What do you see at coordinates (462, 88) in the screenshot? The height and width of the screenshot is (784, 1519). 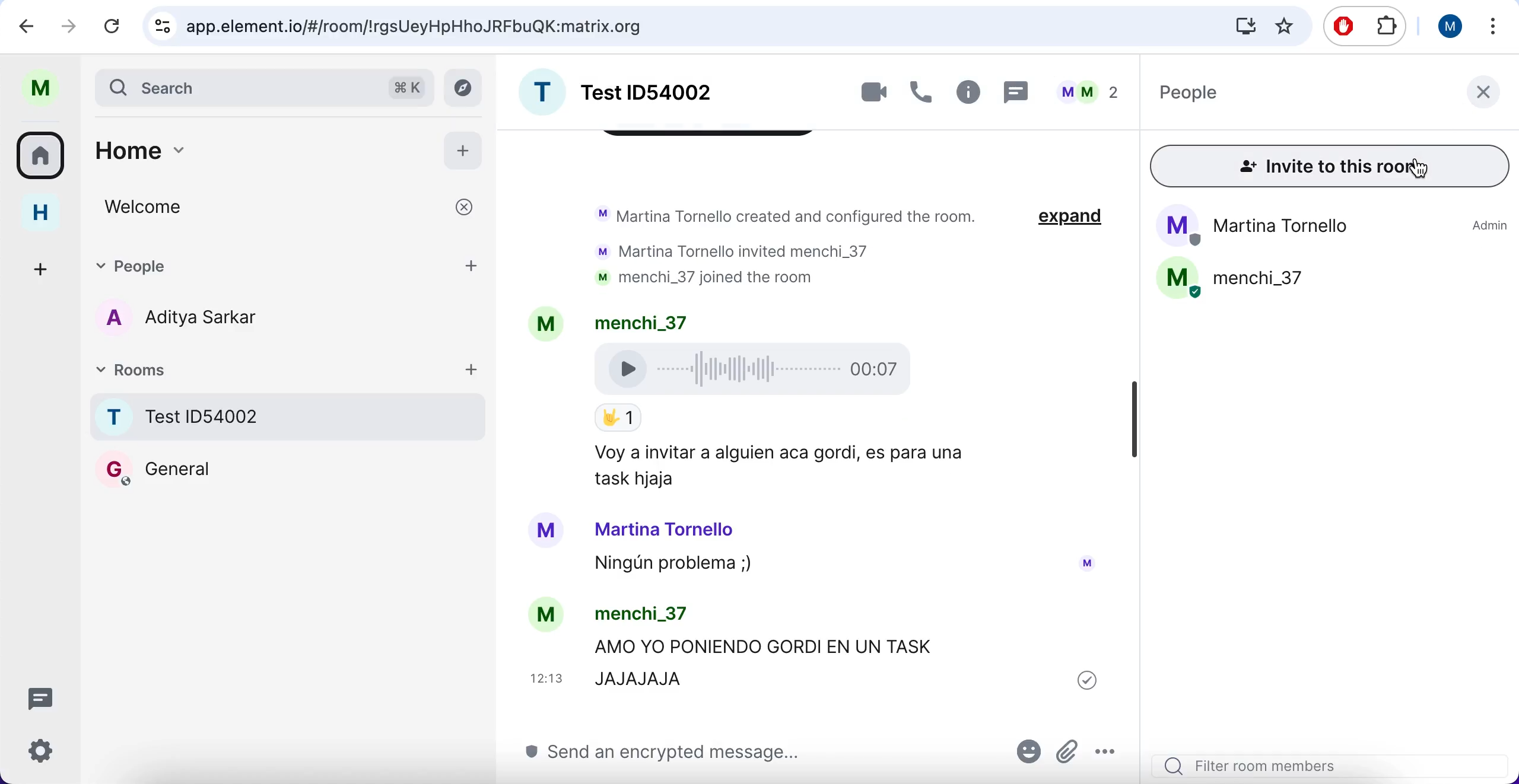 I see `view archive` at bounding box center [462, 88].